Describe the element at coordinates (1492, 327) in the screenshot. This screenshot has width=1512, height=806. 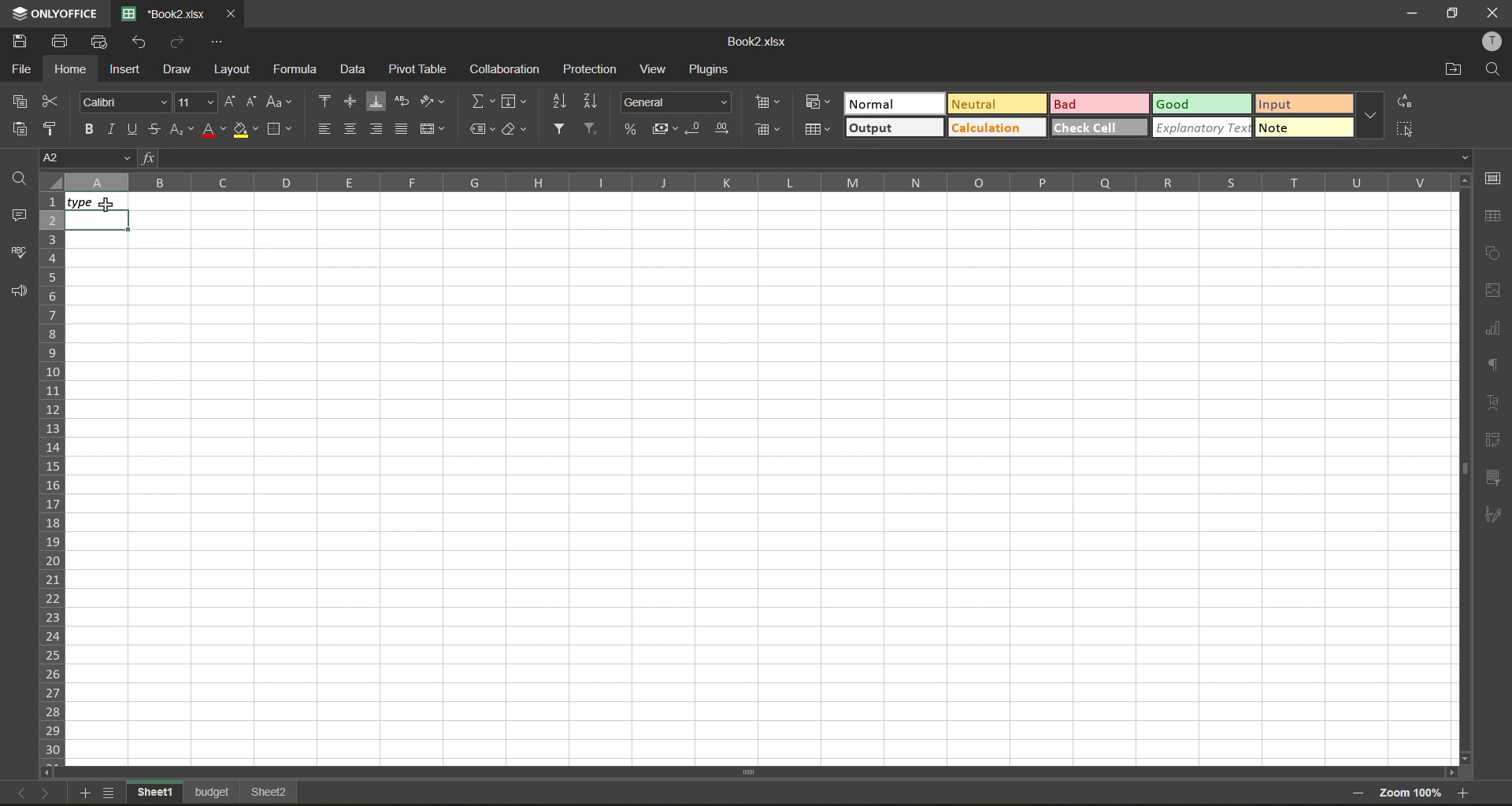
I see `charts` at that location.